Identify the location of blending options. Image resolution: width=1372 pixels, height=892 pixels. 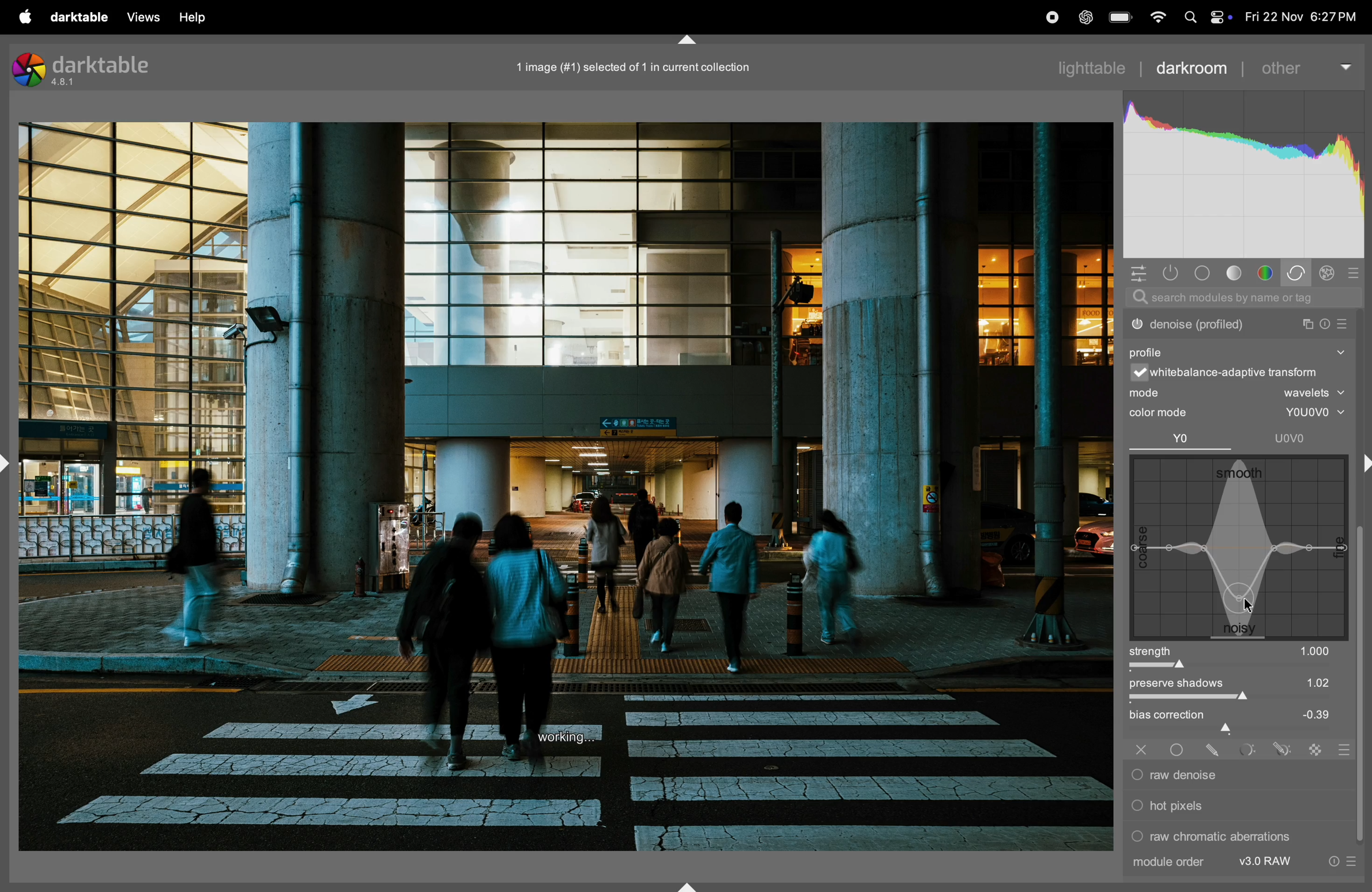
(1343, 749).